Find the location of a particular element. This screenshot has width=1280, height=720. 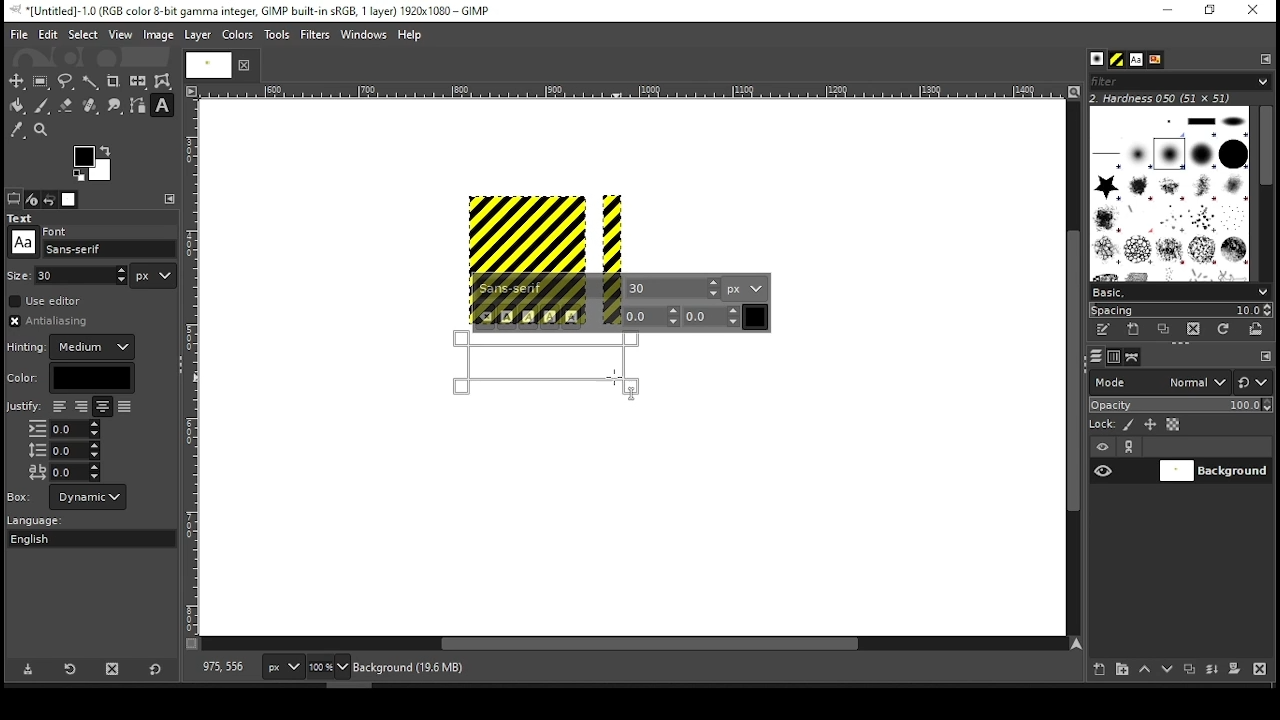

background (28.0mb) is located at coordinates (413, 668).